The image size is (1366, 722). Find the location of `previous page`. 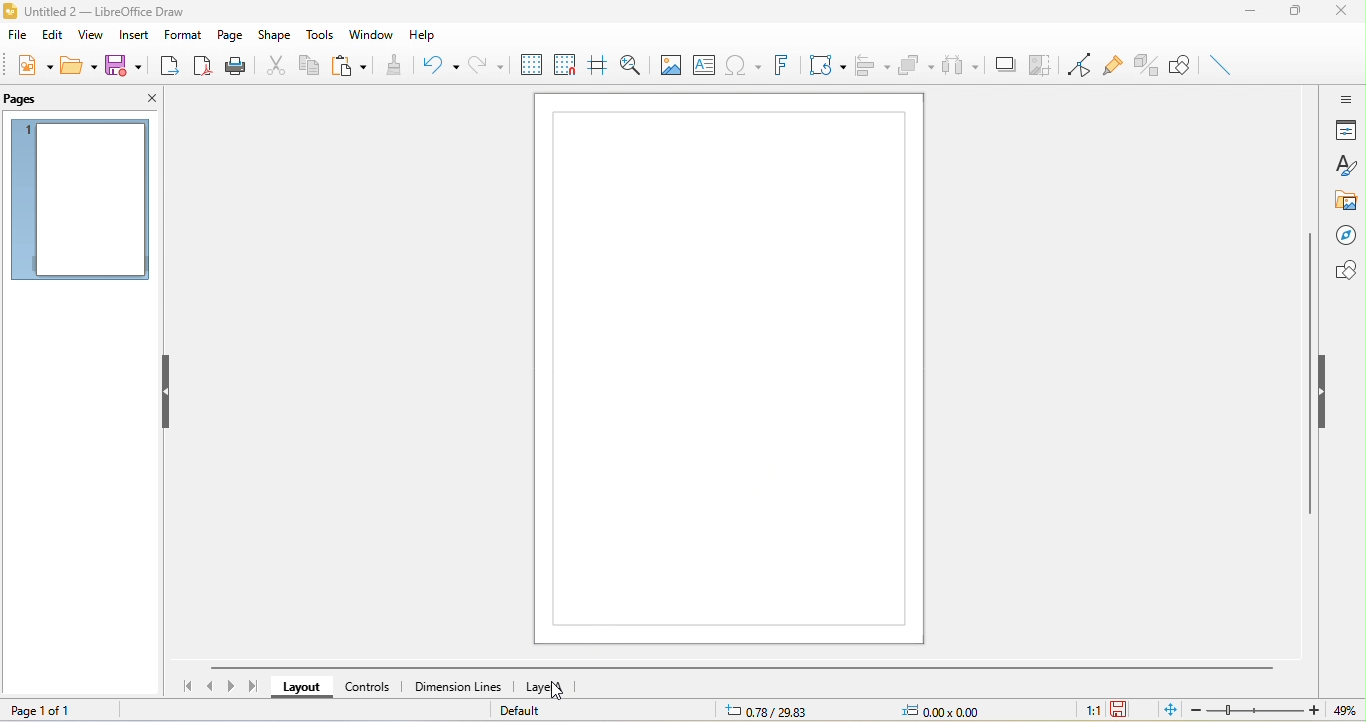

previous page is located at coordinates (210, 686).